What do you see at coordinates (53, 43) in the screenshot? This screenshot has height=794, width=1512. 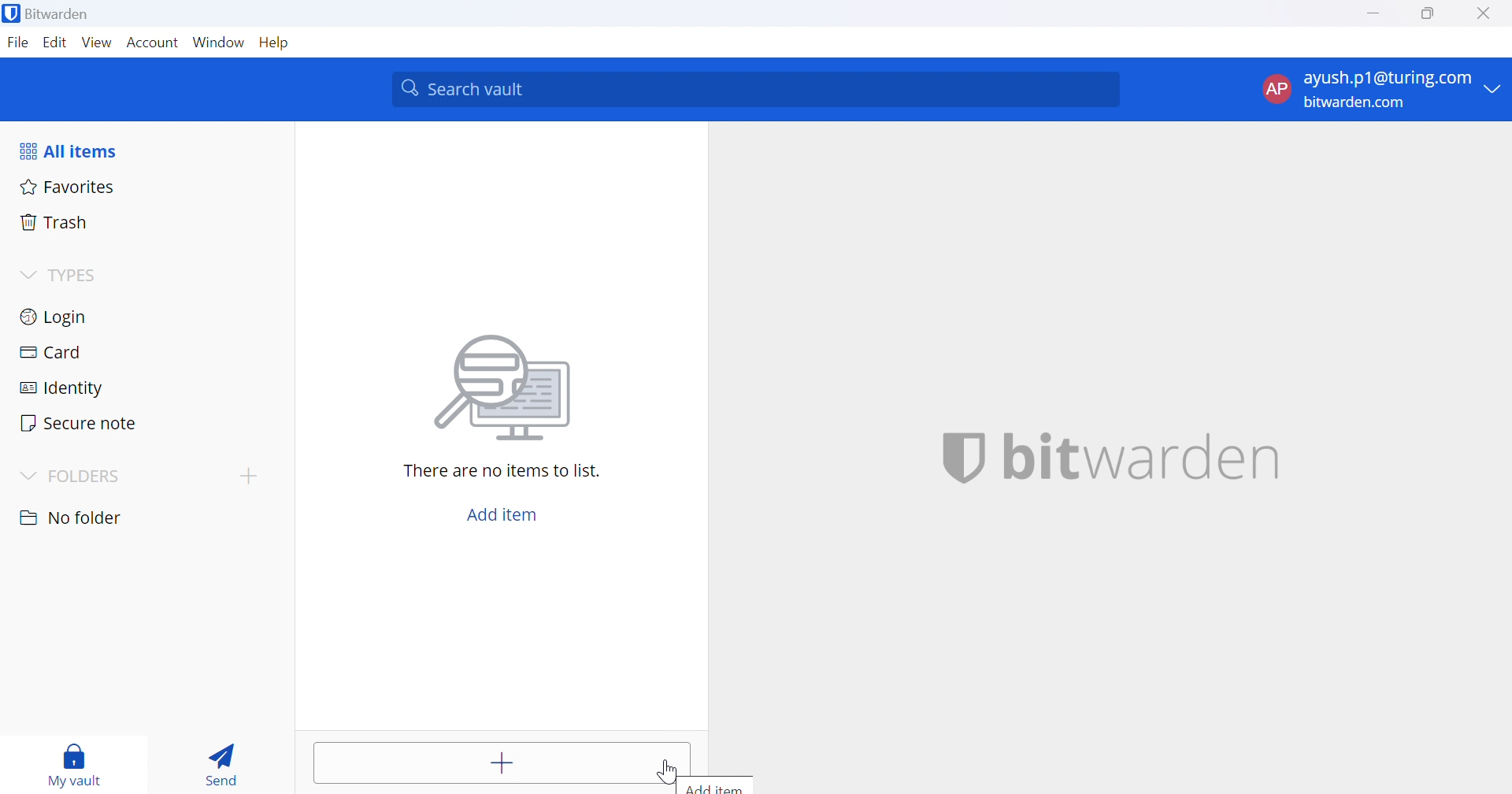 I see `Edit` at bounding box center [53, 43].